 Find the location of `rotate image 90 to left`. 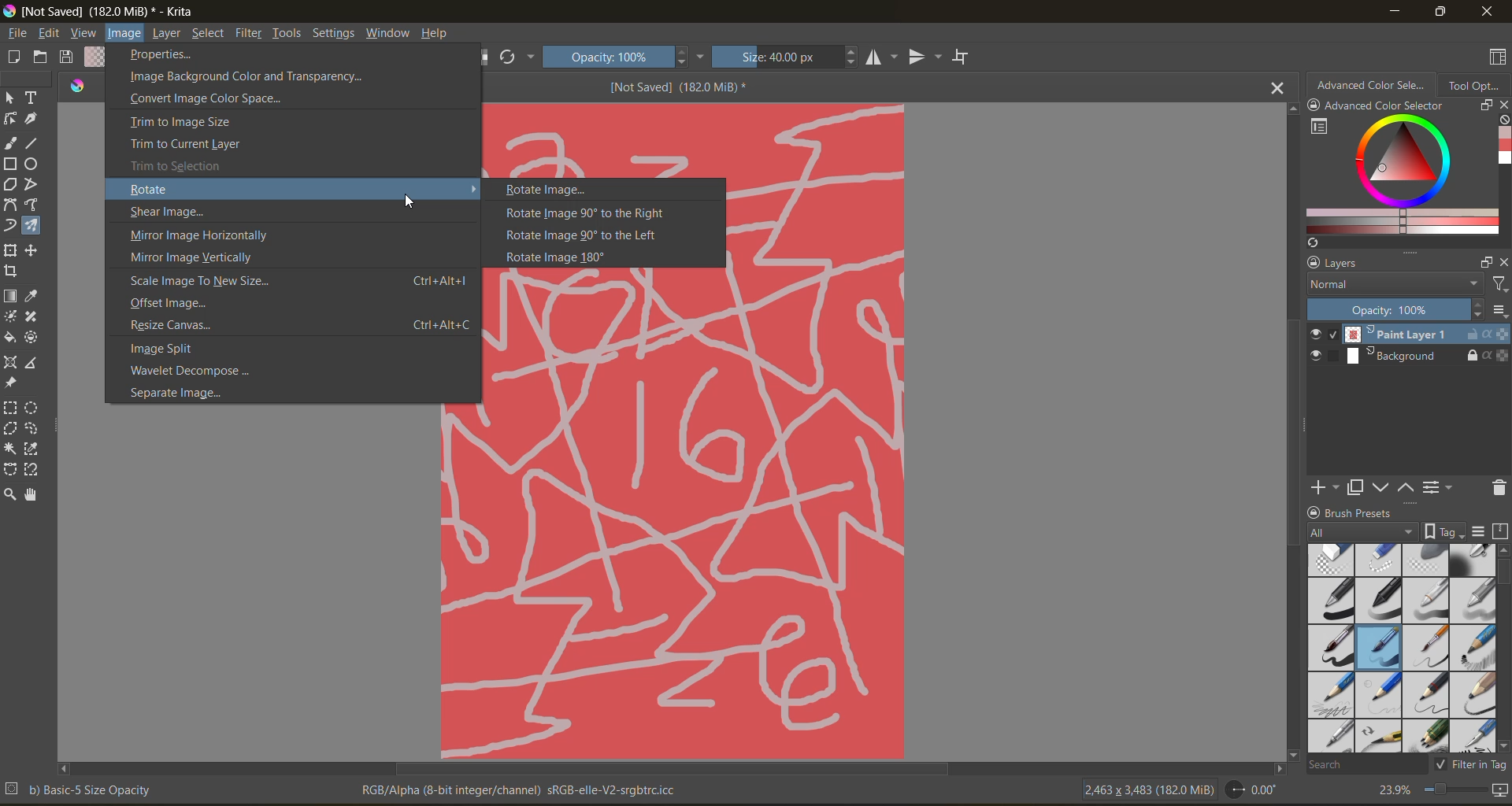

rotate image 90 to left is located at coordinates (595, 235).